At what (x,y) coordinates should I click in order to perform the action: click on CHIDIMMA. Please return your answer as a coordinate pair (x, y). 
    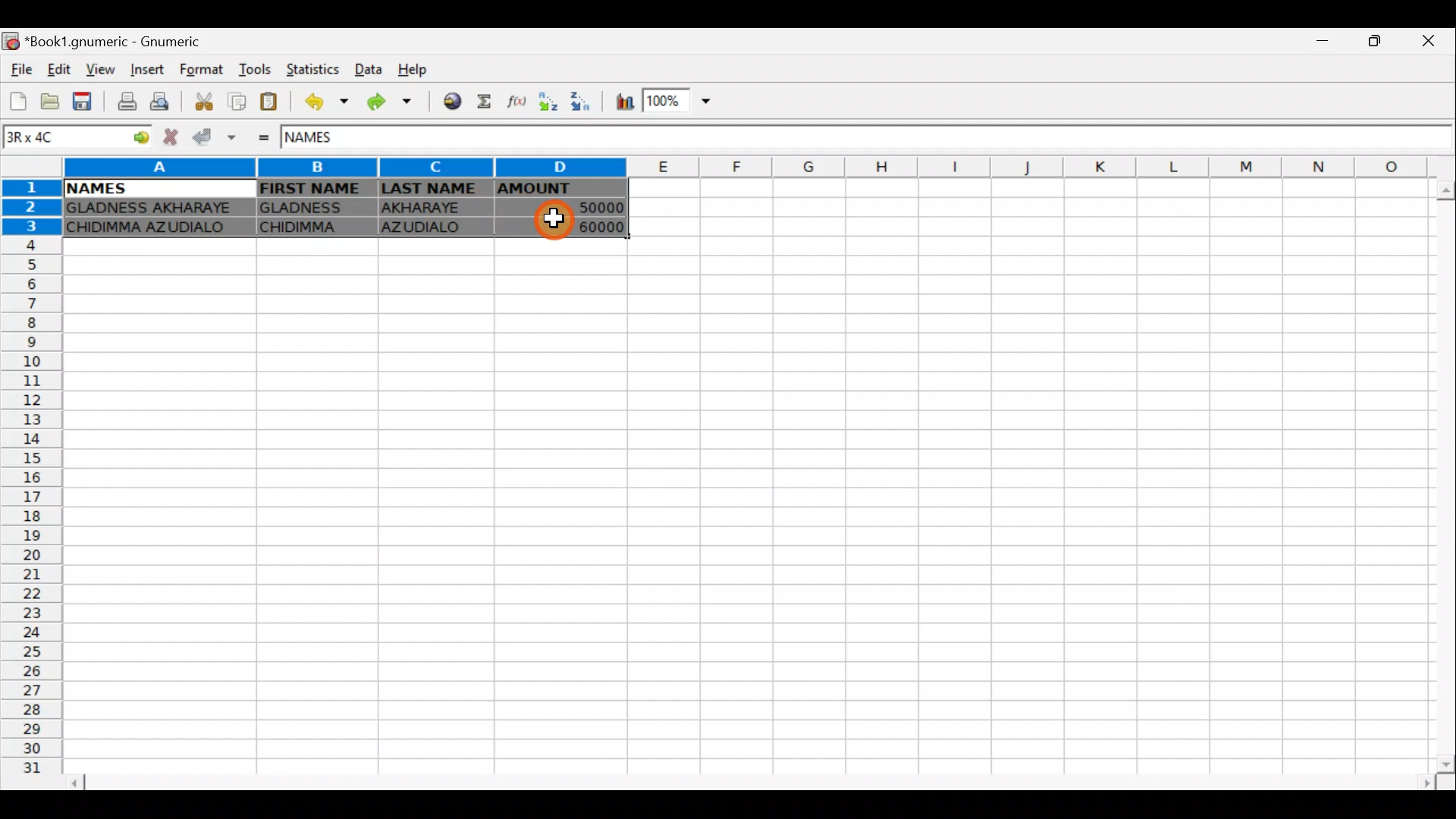
    Looking at the image, I should click on (313, 227).